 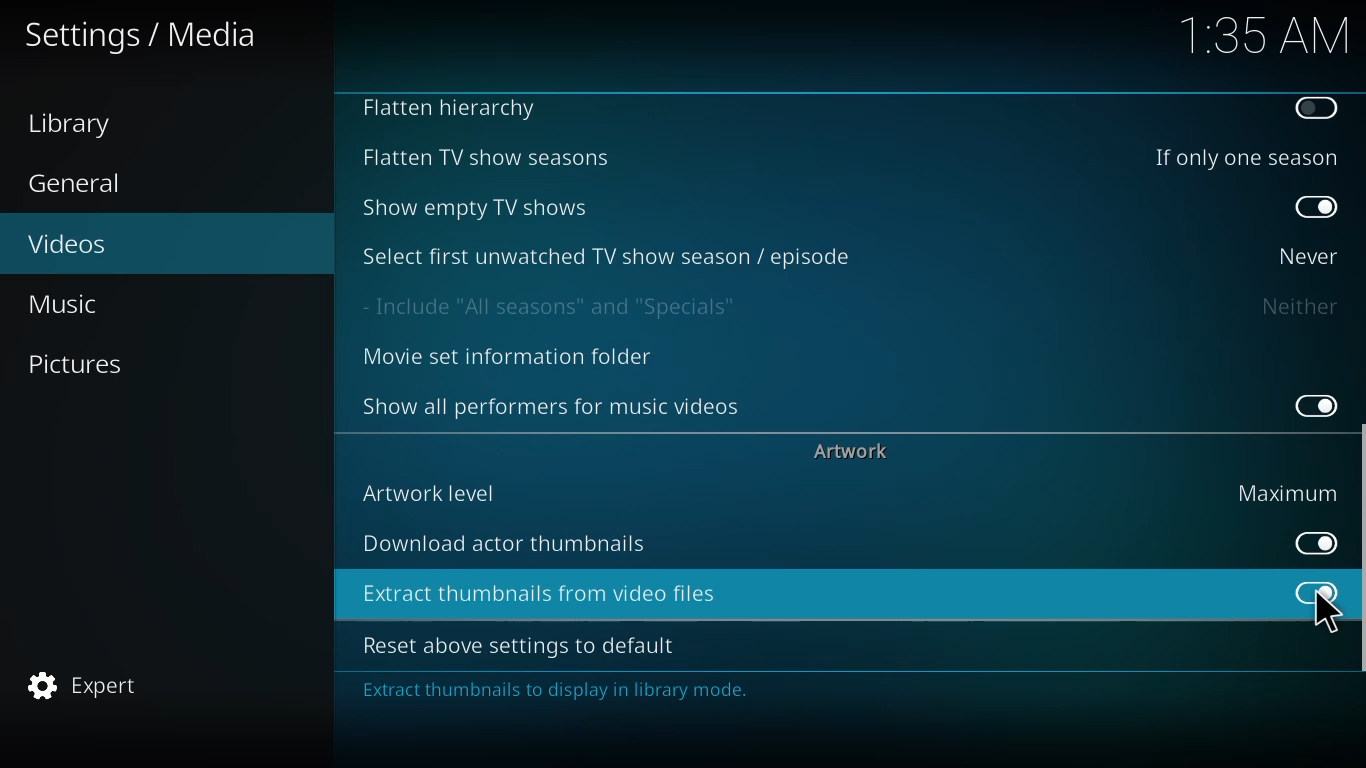 What do you see at coordinates (143, 37) in the screenshot?
I see `media` at bounding box center [143, 37].